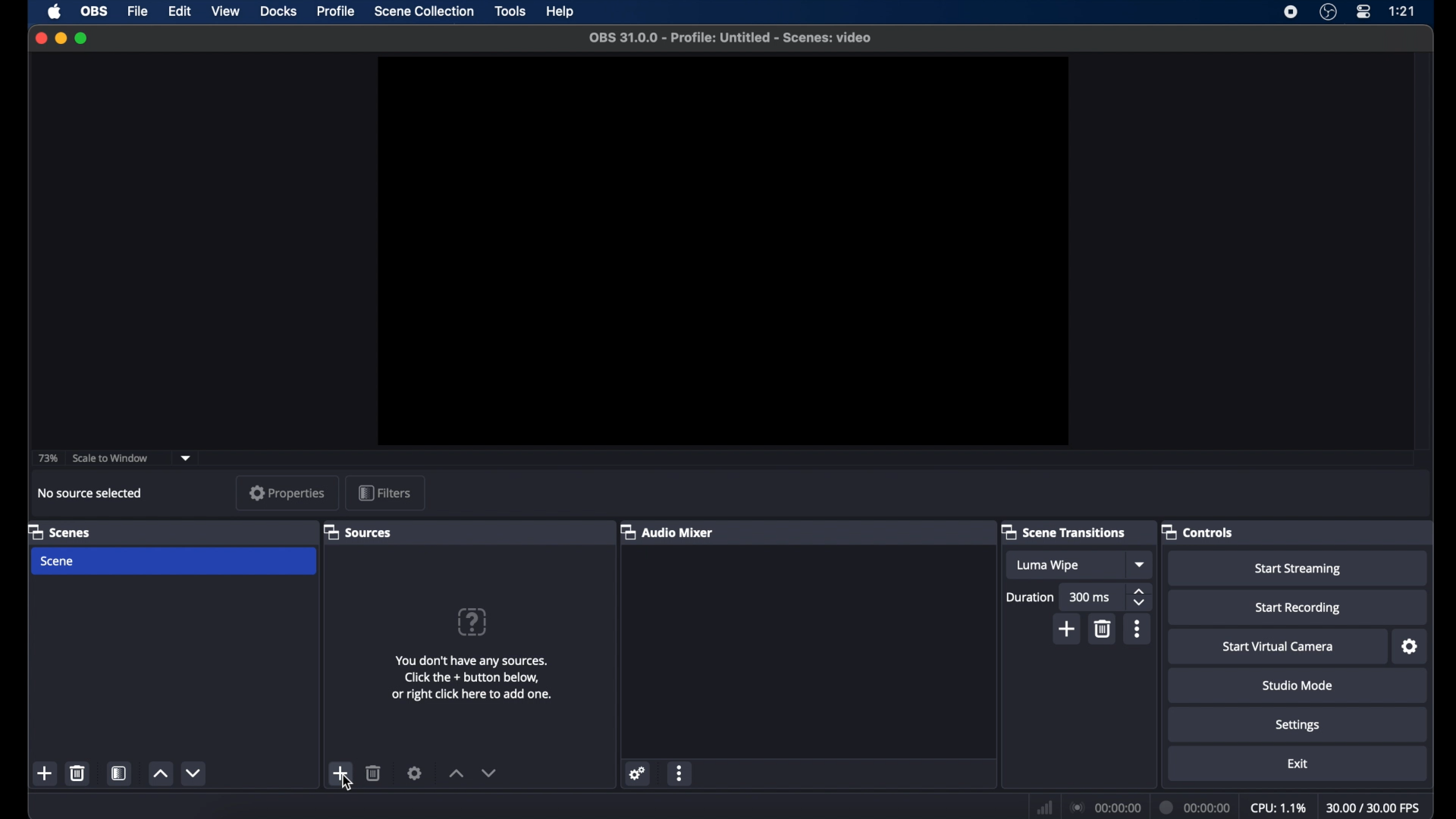  I want to click on network, so click(1043, 808).